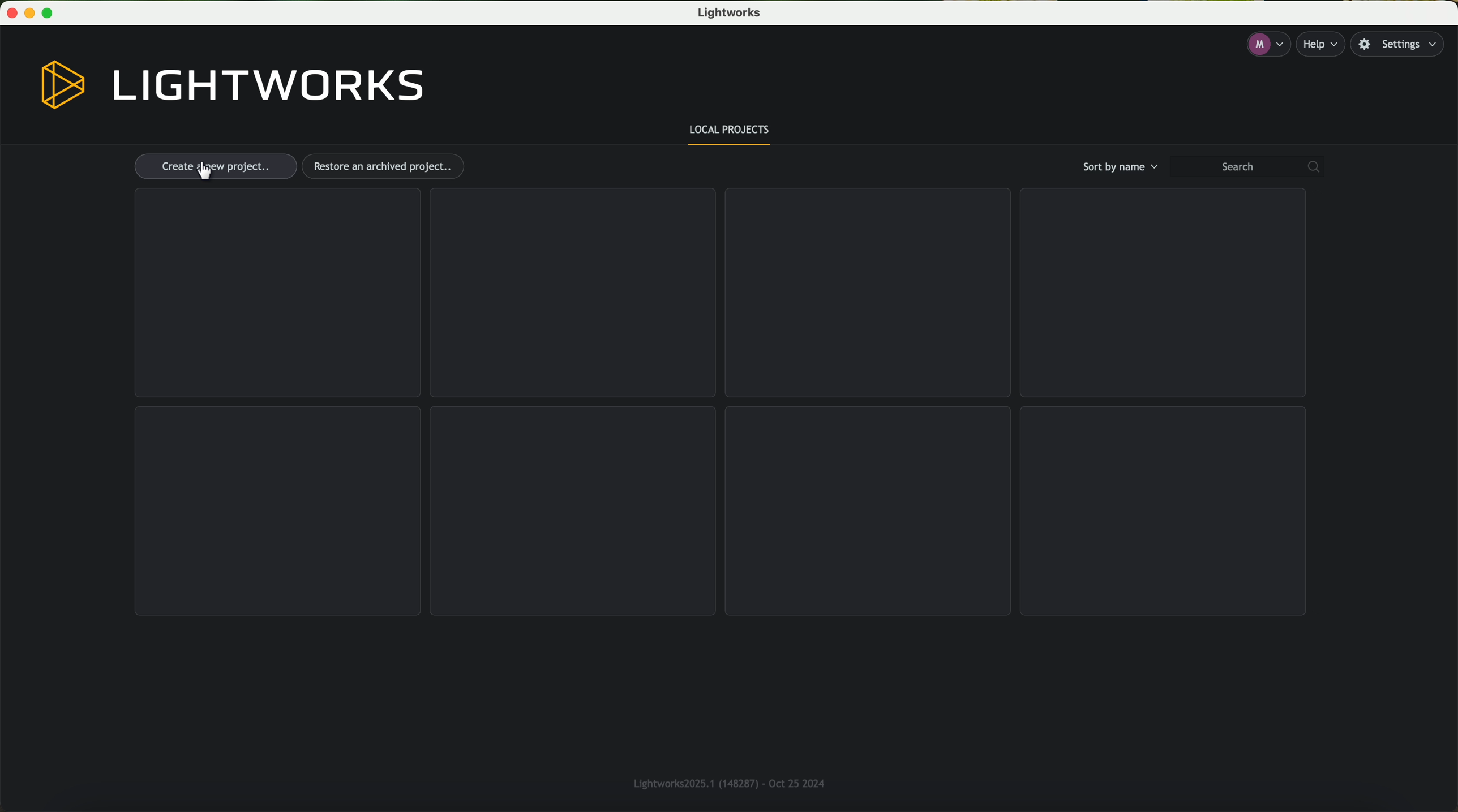 The image size is (1458, 812). I want to click on grid, so click(571, 293).